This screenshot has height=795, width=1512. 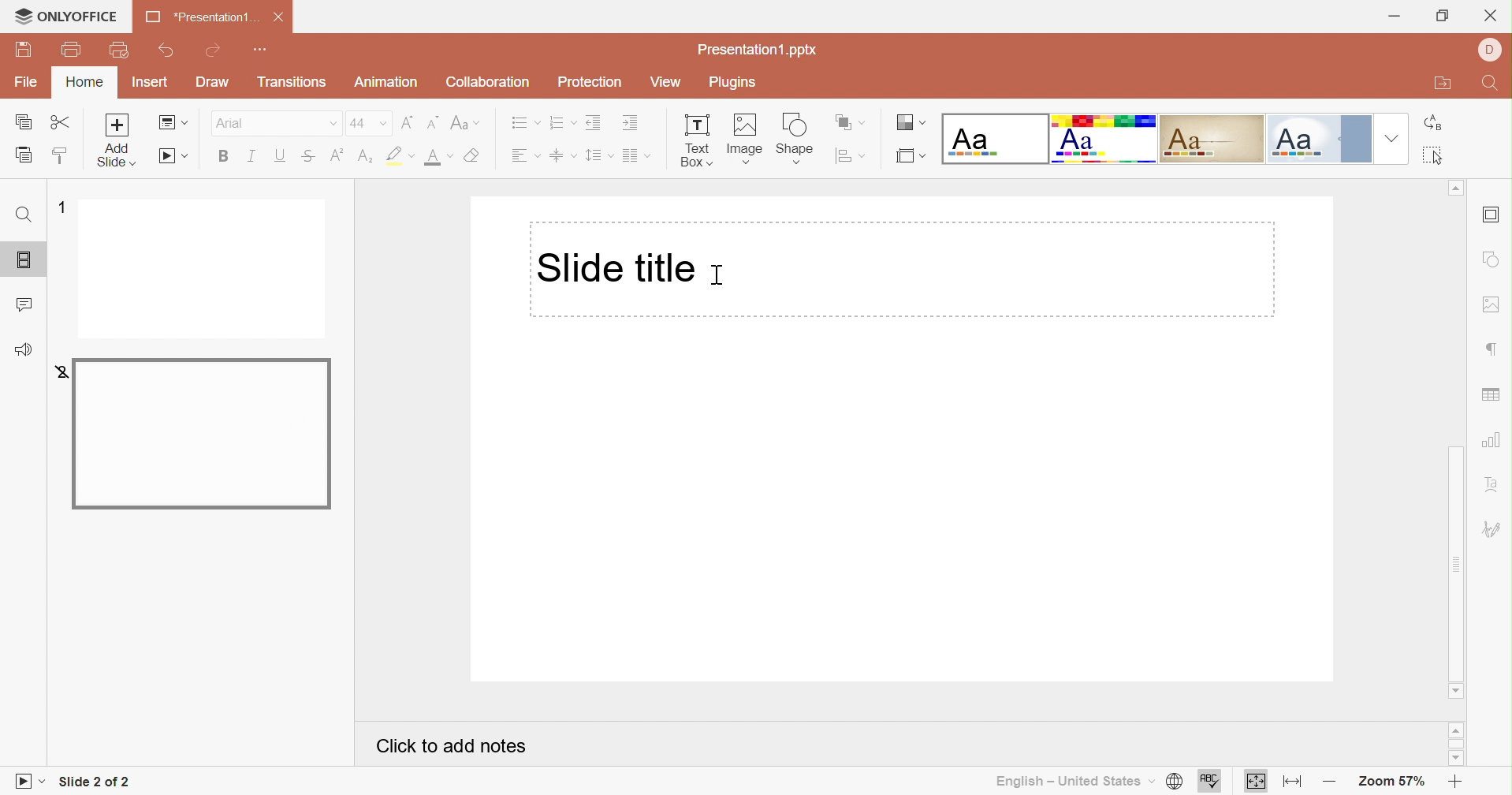 What do you see at coordinates (27, 304) in the screenshot?
I see `Comments` at bounding box center [27, 304].